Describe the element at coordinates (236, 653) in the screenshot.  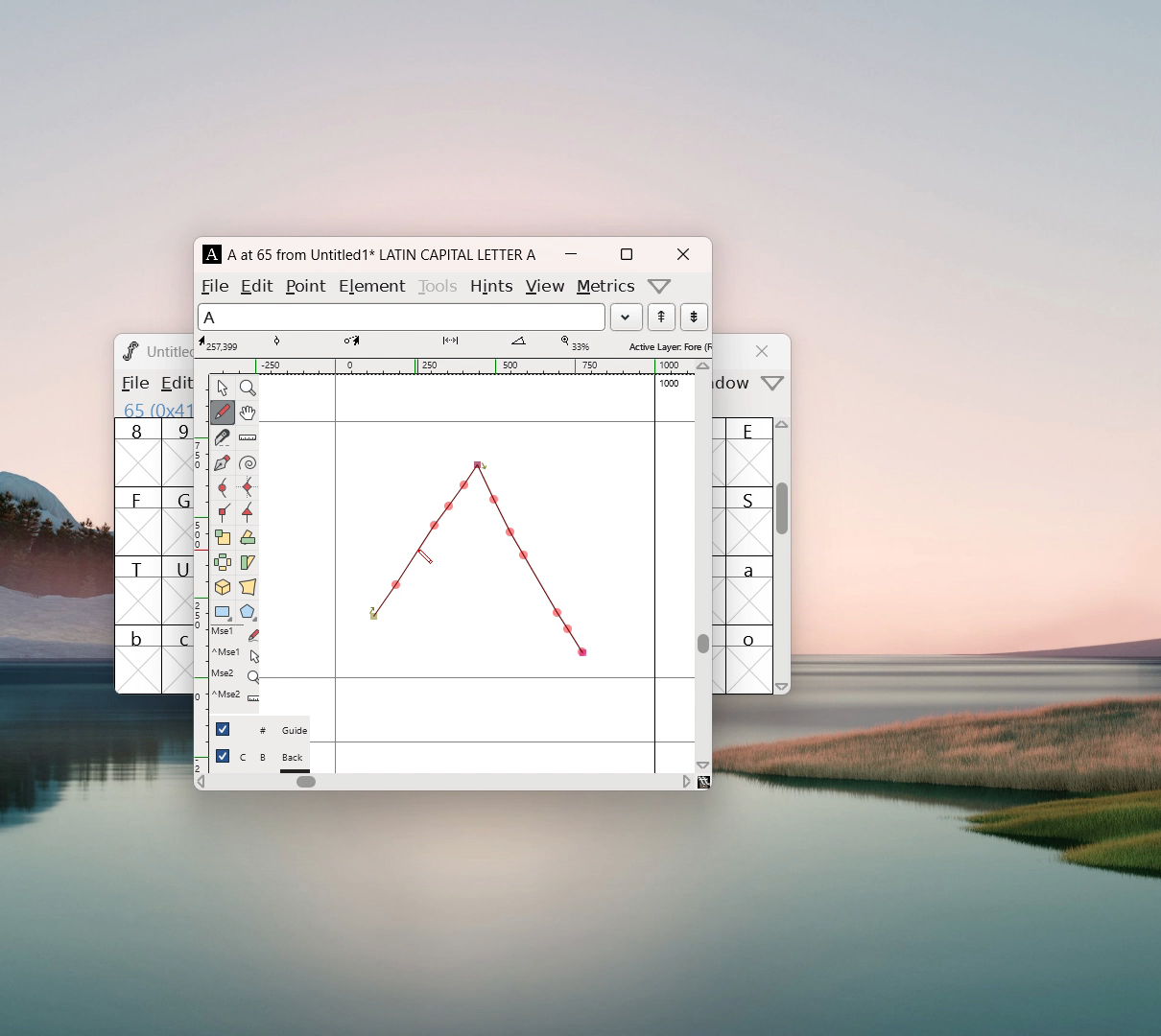
I see `^Mse2` at that location.